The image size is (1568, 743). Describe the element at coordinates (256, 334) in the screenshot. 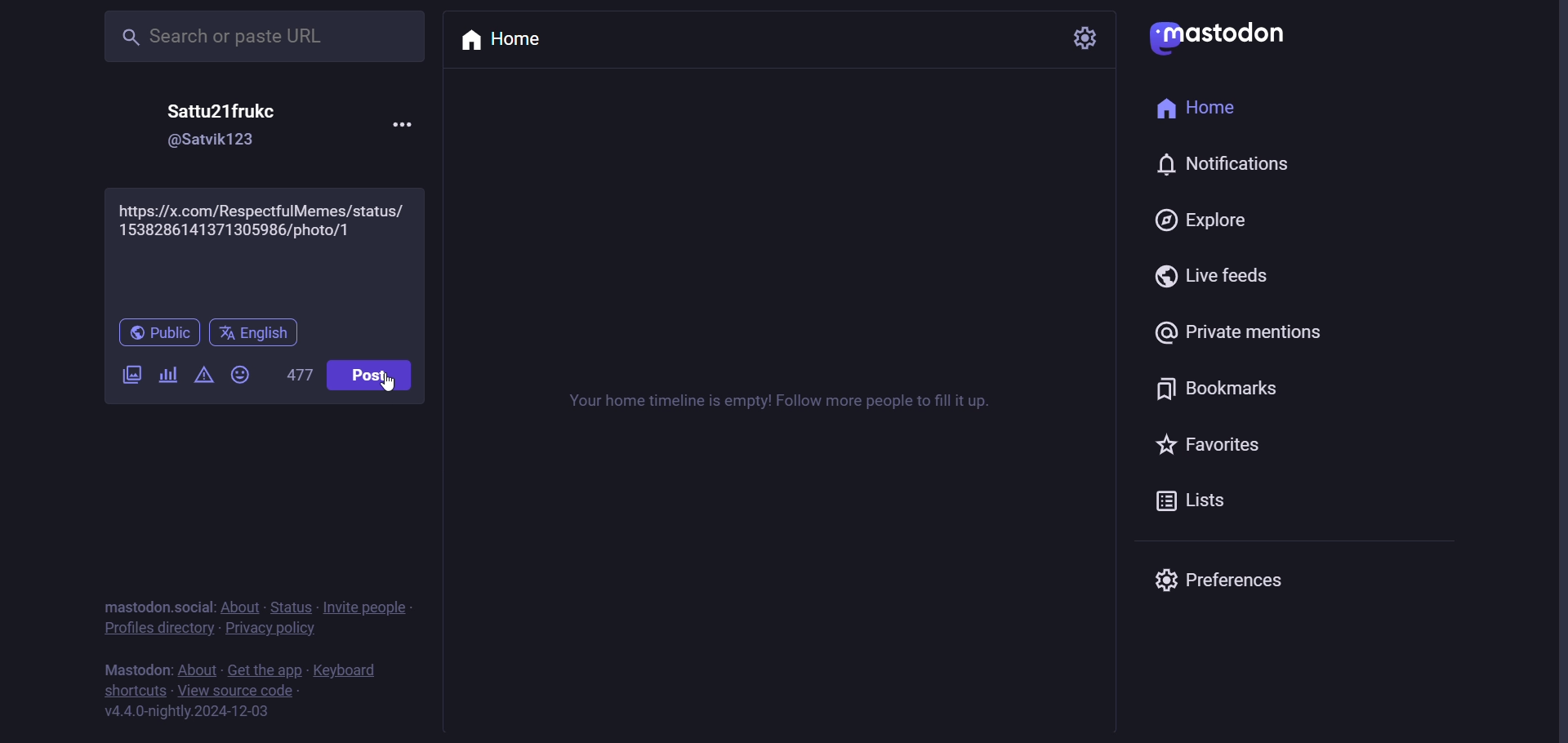

I see `English` at that location.